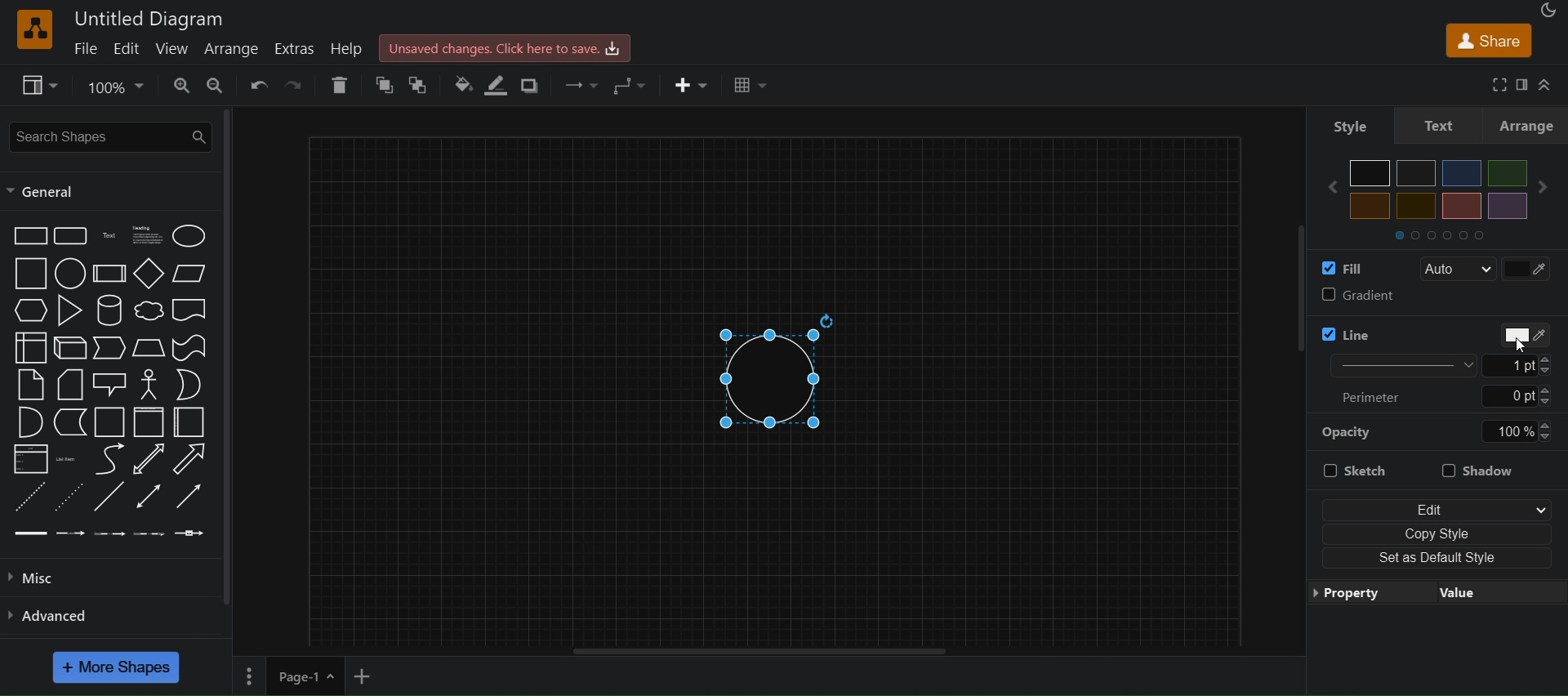 The height and width of the screenshot is (696, 1568). I want to click on line thickness, so click(1392, 364).